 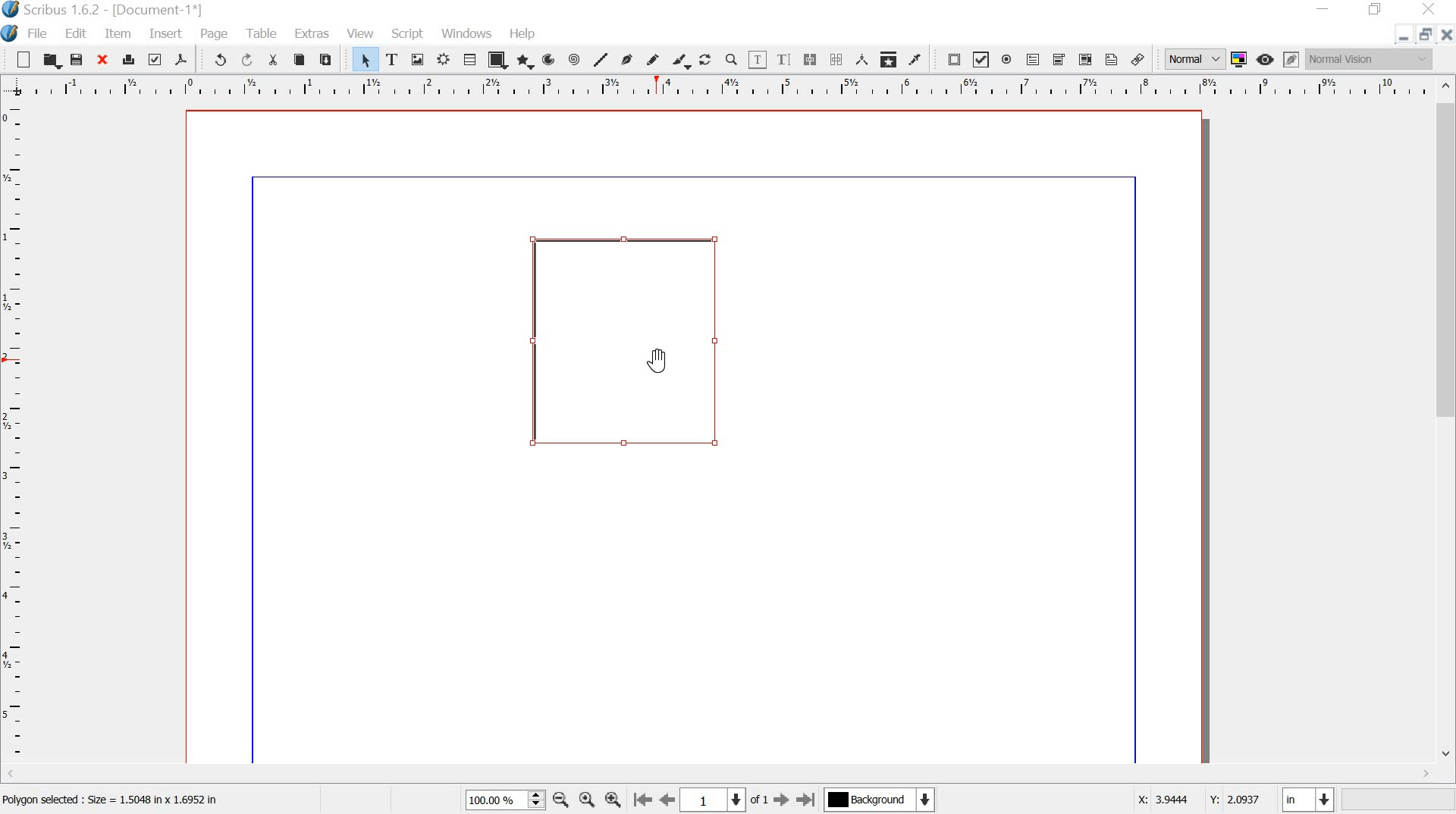 I want to click on save as pdf, so click(x=184, y=60).